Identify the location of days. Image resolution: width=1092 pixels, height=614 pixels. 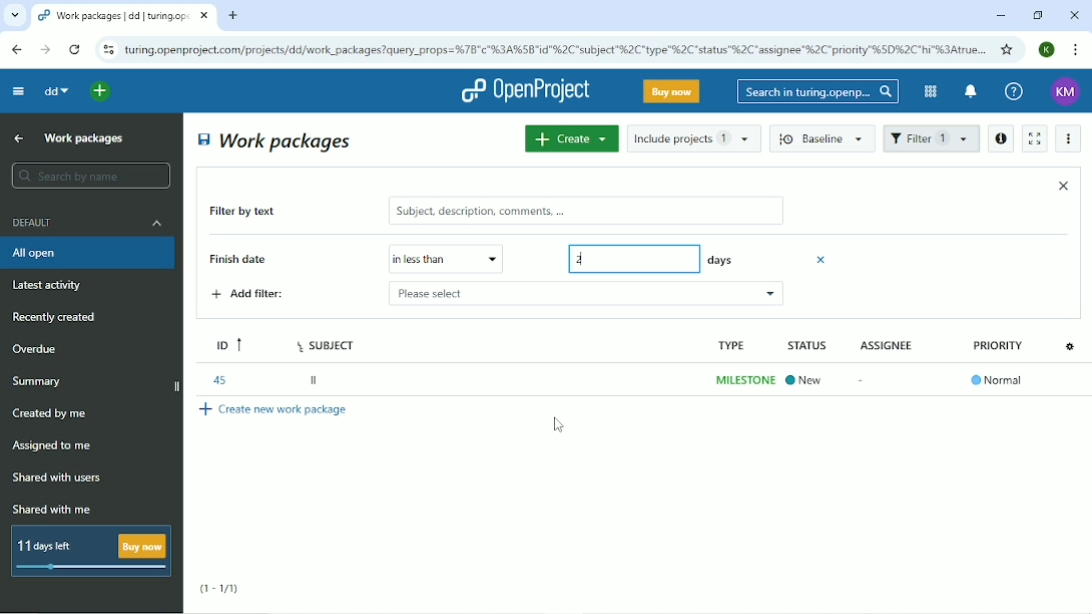
(719, 258).